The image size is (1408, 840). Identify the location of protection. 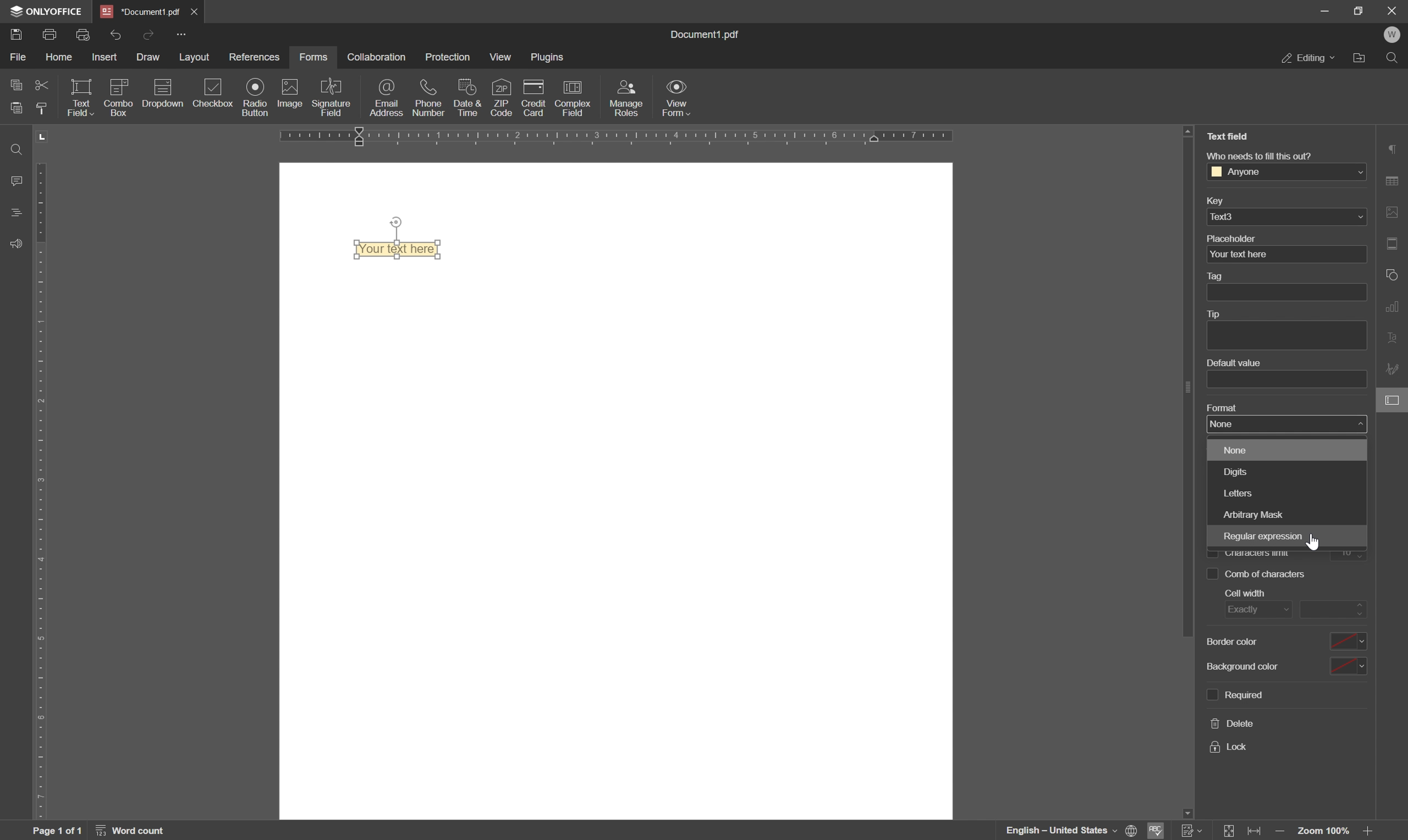
(449, 55).